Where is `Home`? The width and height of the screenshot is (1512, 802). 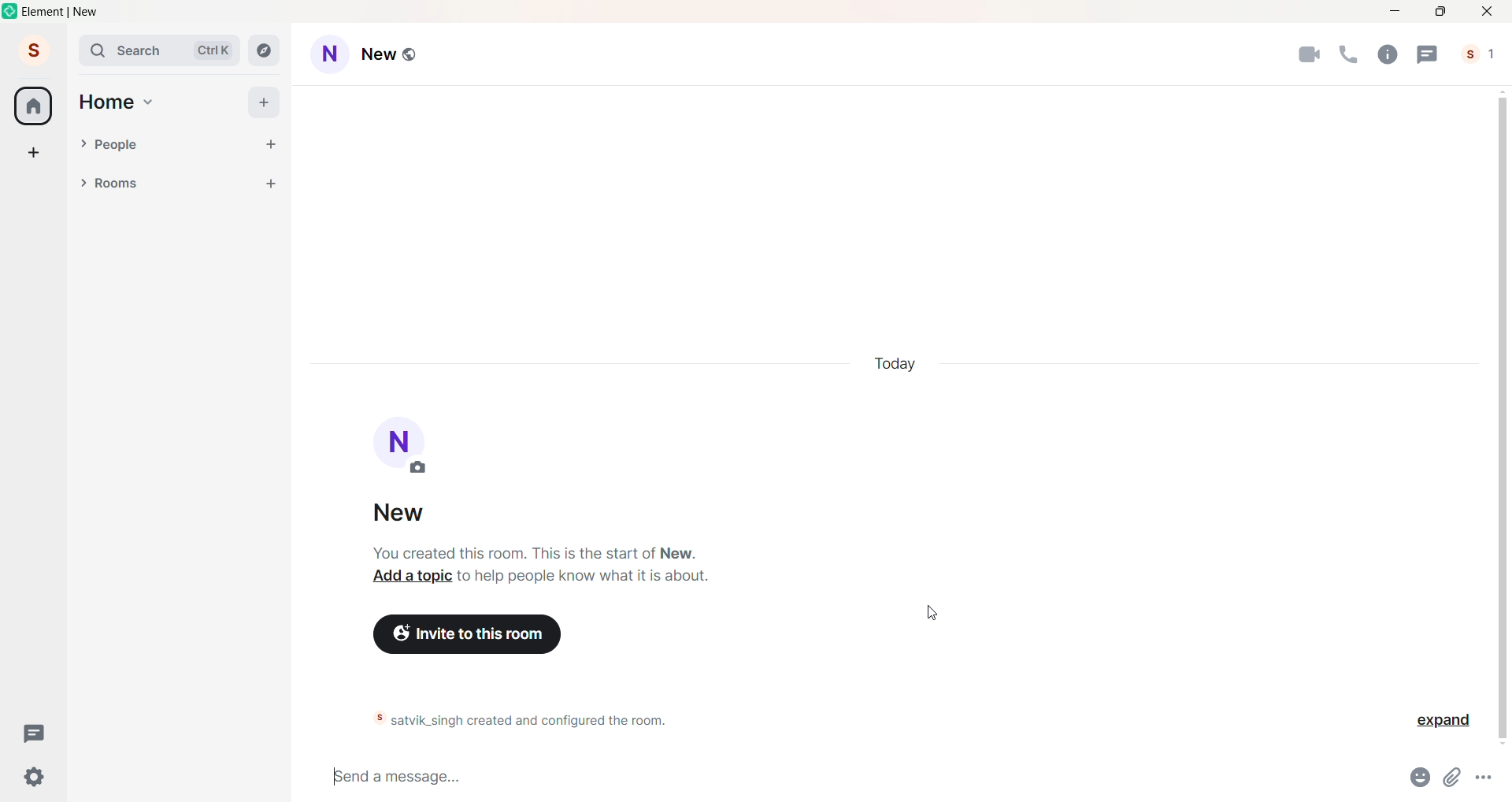
Home is located at coordinates (33, 106).